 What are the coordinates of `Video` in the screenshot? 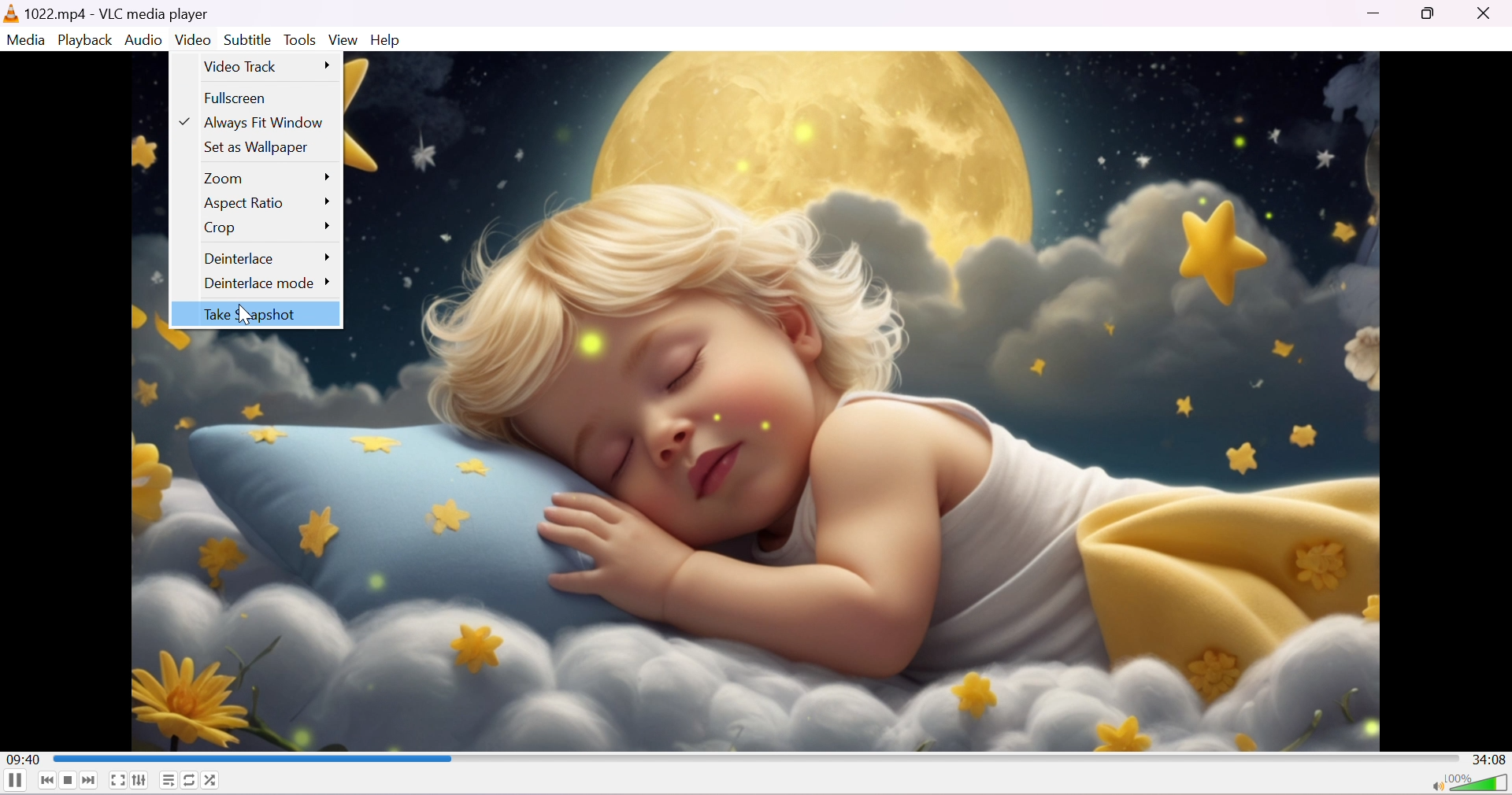 It's located at (193, 42).